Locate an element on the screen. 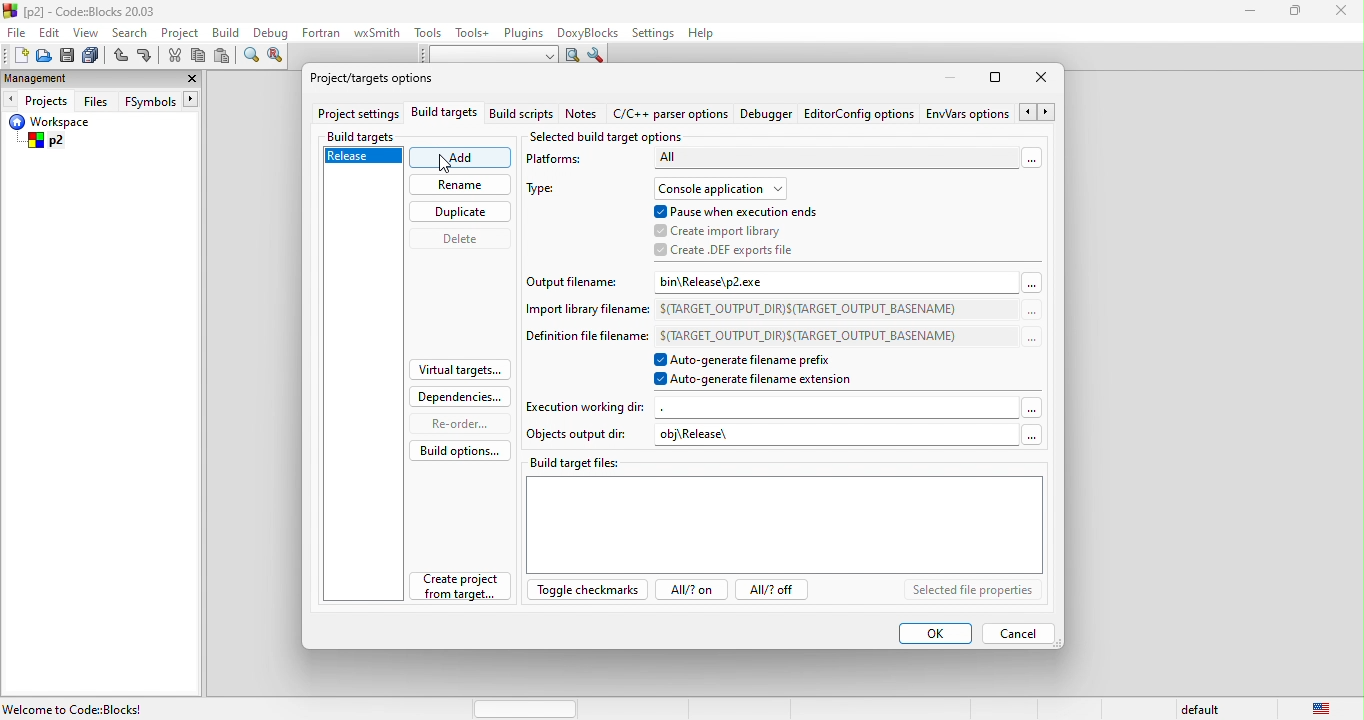 The width and height of the screenshot is (1364, 720). debug is located at coordinates (272, 33).